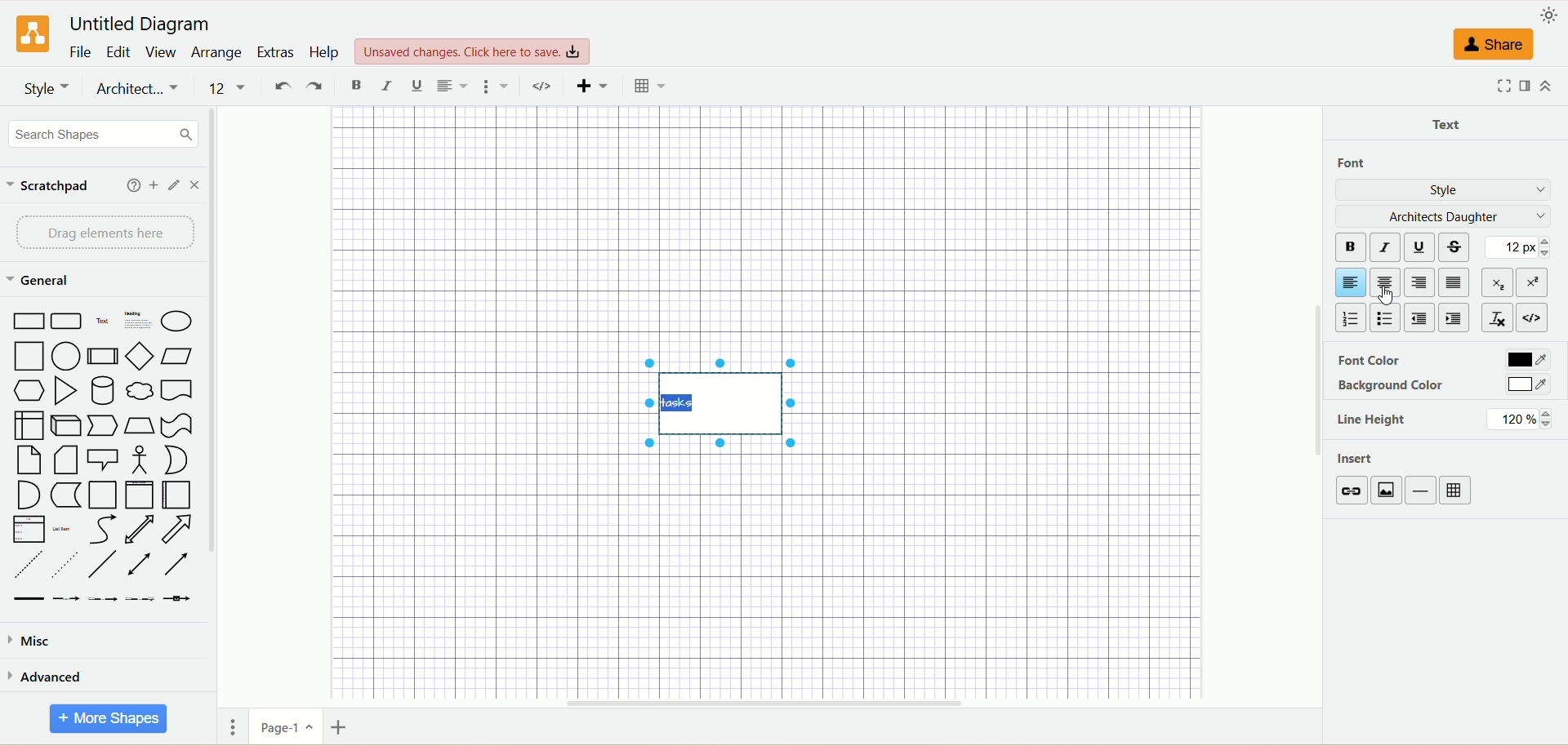 The image size is (1568, 746). I want to click on strikethrough, so click(1458, 245).